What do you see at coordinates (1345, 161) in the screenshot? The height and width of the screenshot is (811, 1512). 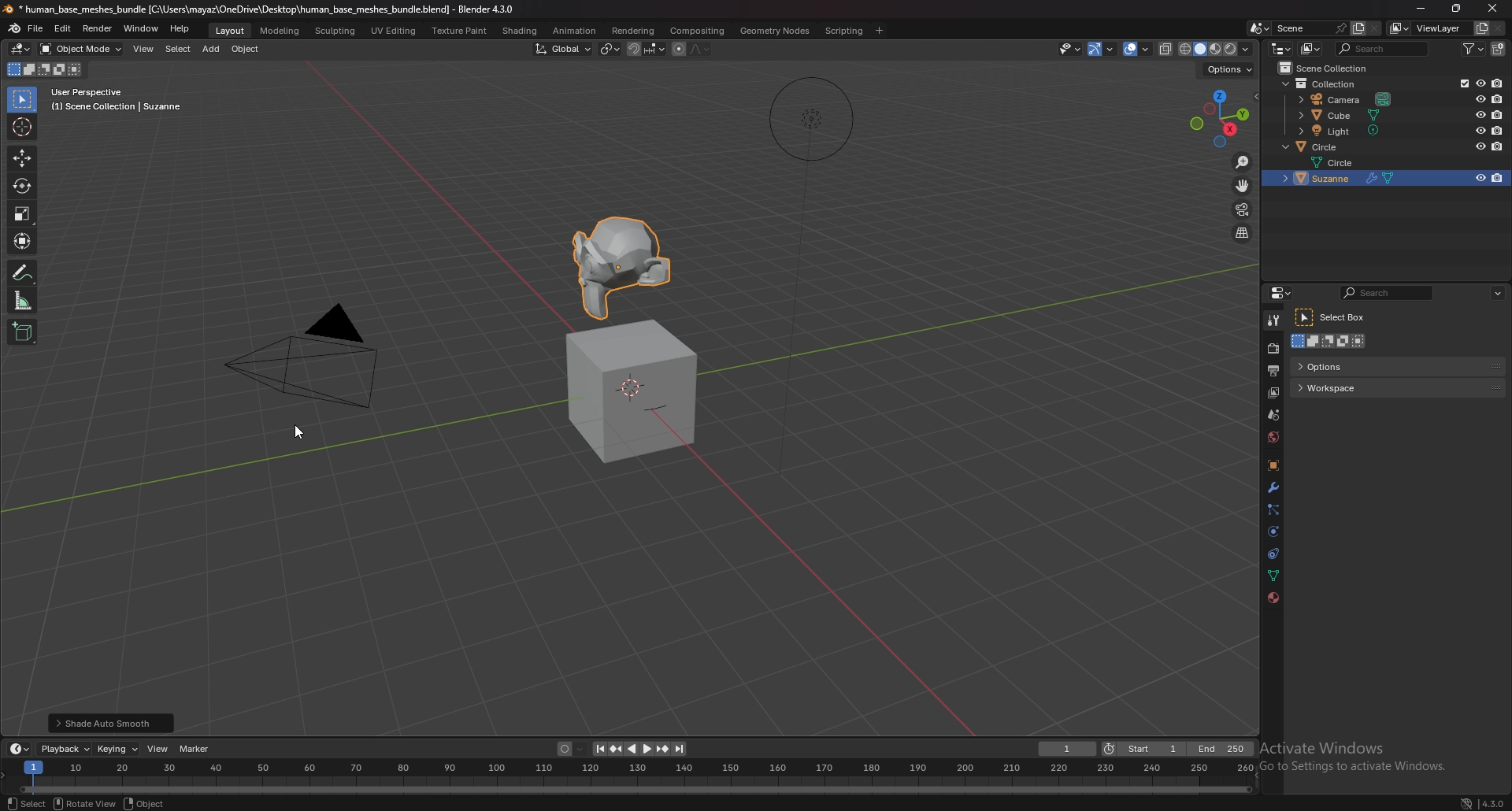 I see `circle` at bounding box center [1345, 161].